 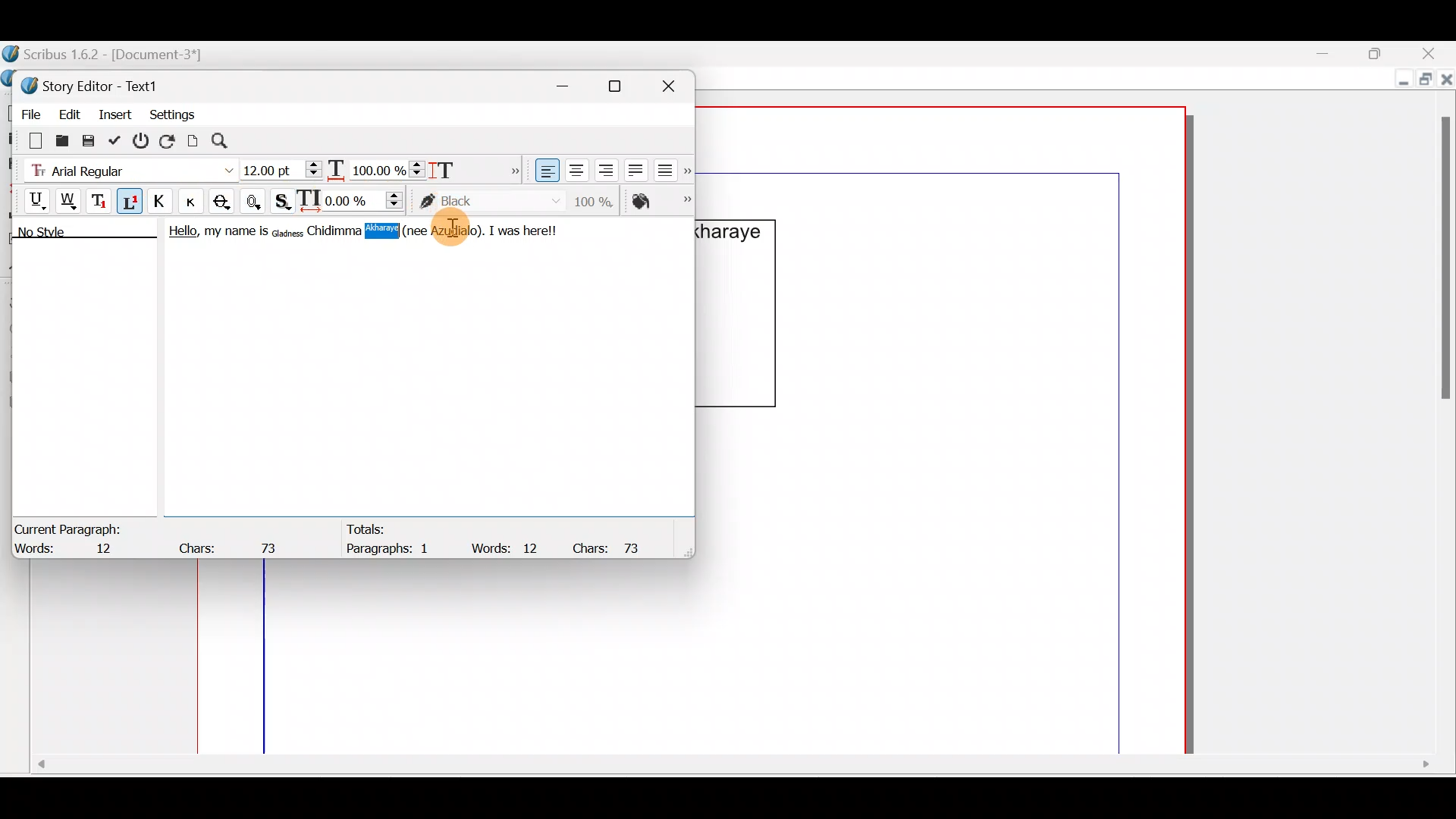 I want to click on Saturation of color of text stroke, so click(x=599, y=199).